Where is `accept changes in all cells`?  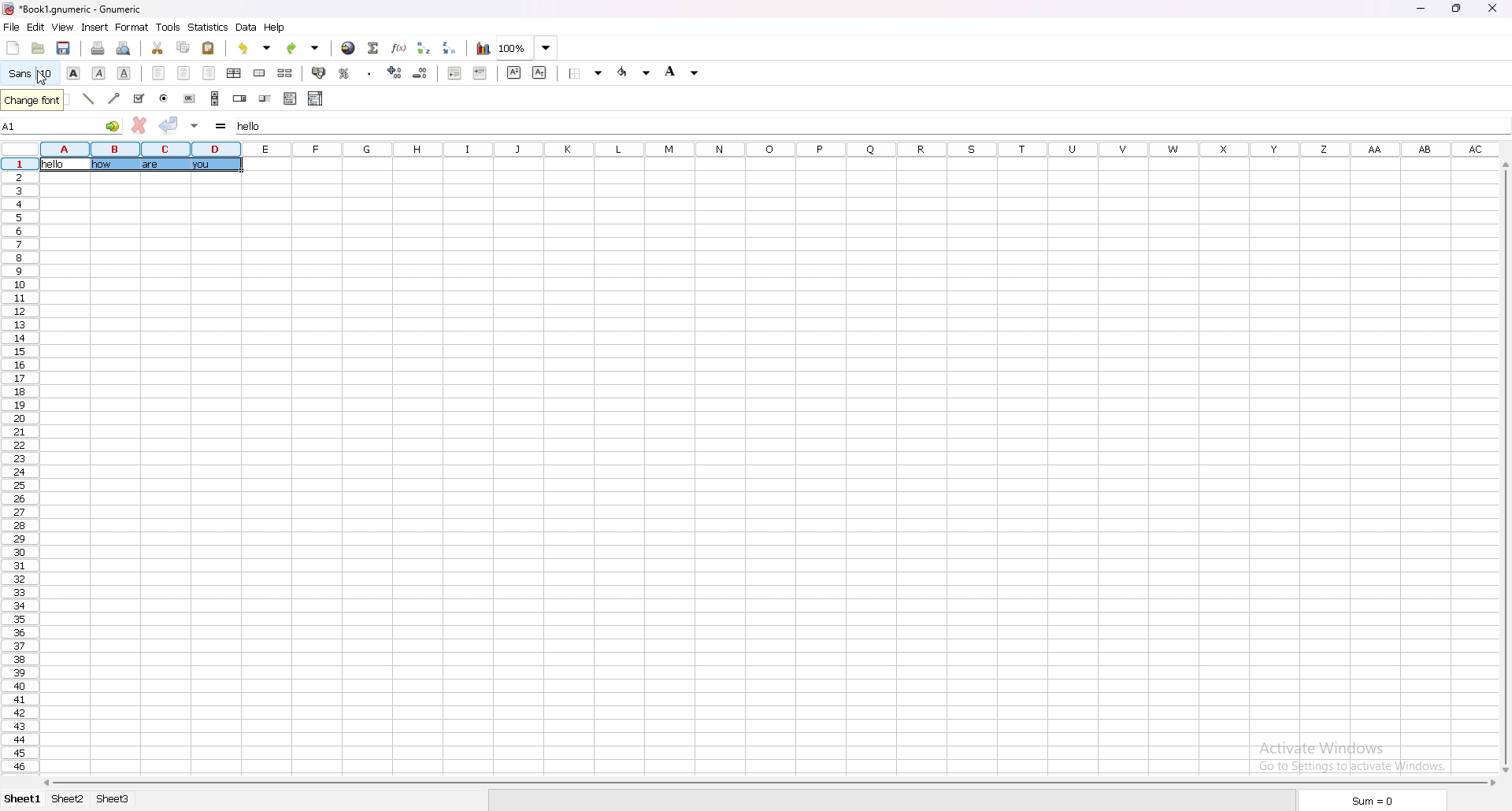
accept changes in all cells is located at coordinates (195, 125).